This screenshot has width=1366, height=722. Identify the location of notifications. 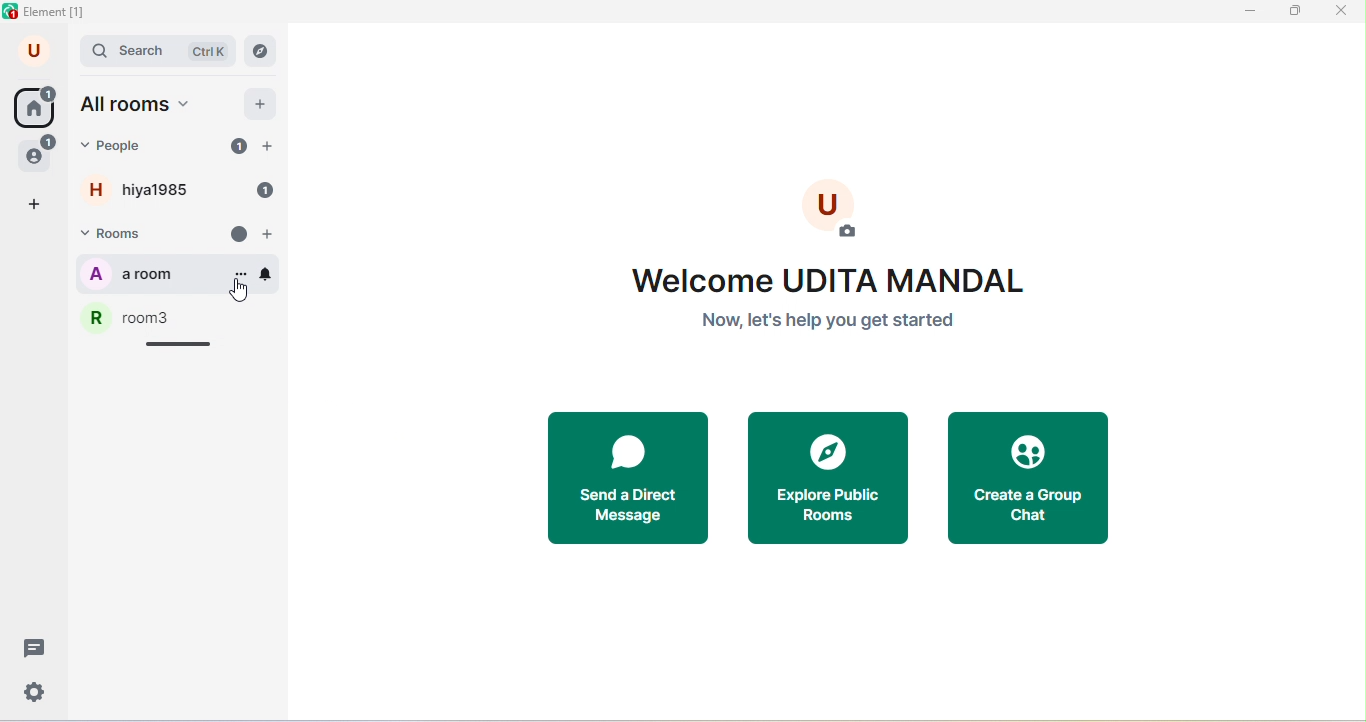
(266, 274).